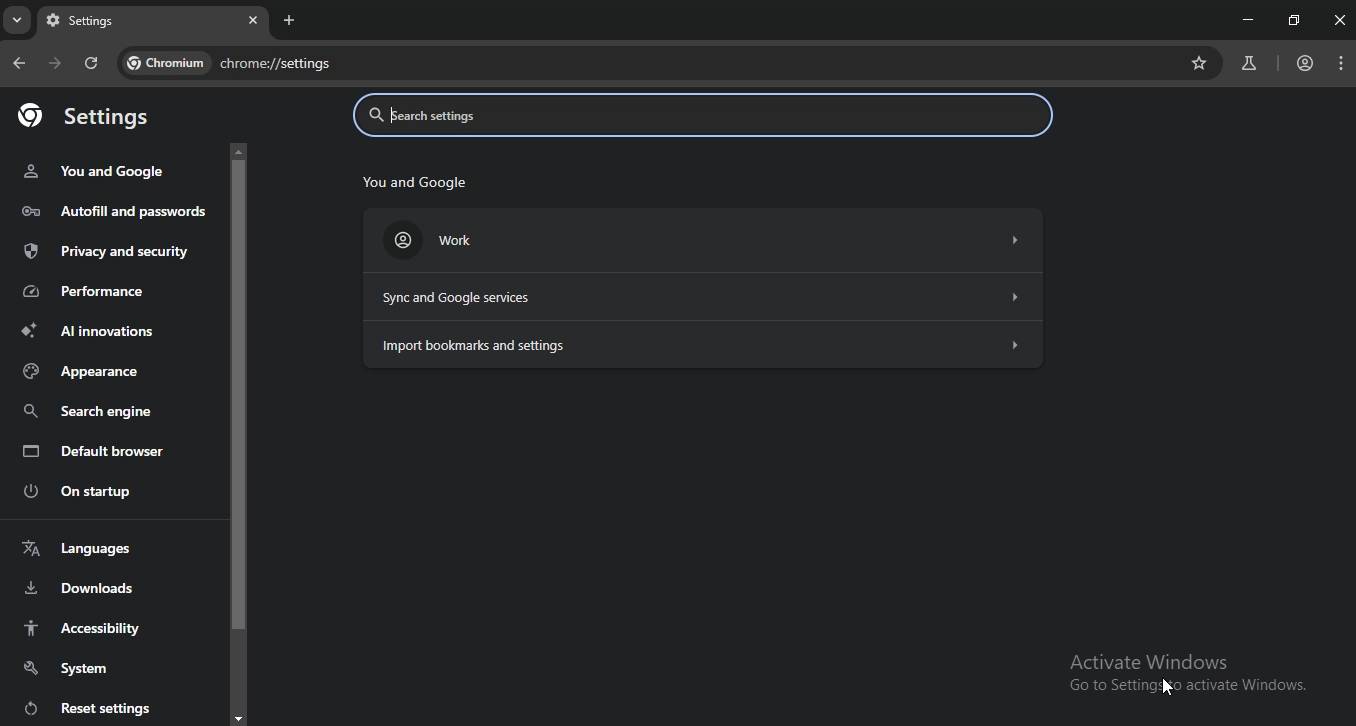 The width and height of the screenshot is (1356, 726). I want to click on £ You and Google, so click(93, 171).